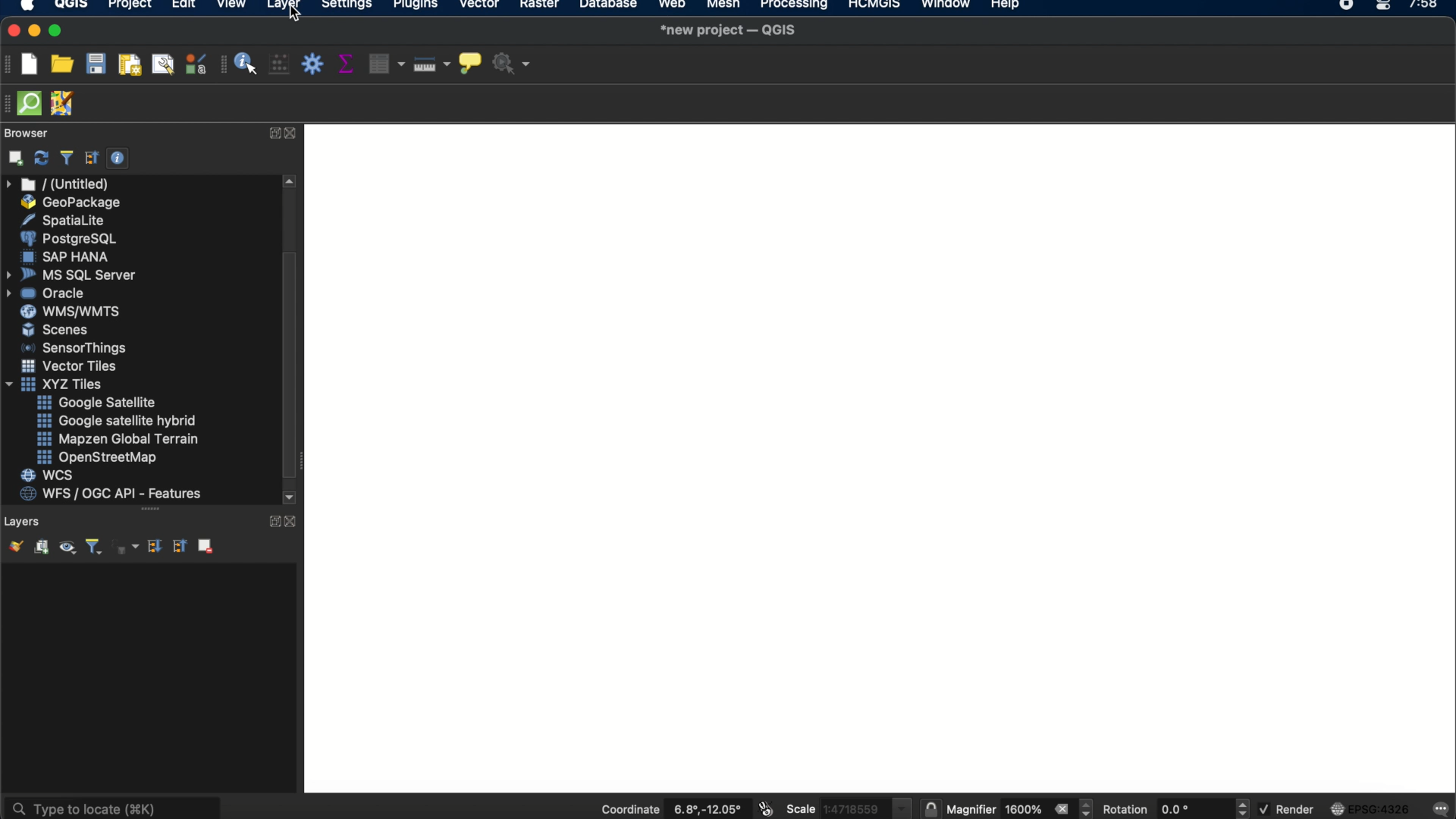 This screenshot has height=819, width=1456. What do you see at coordinates (95, 64) in the screenshot?
I see `save project` at bounding box center [95, 64].